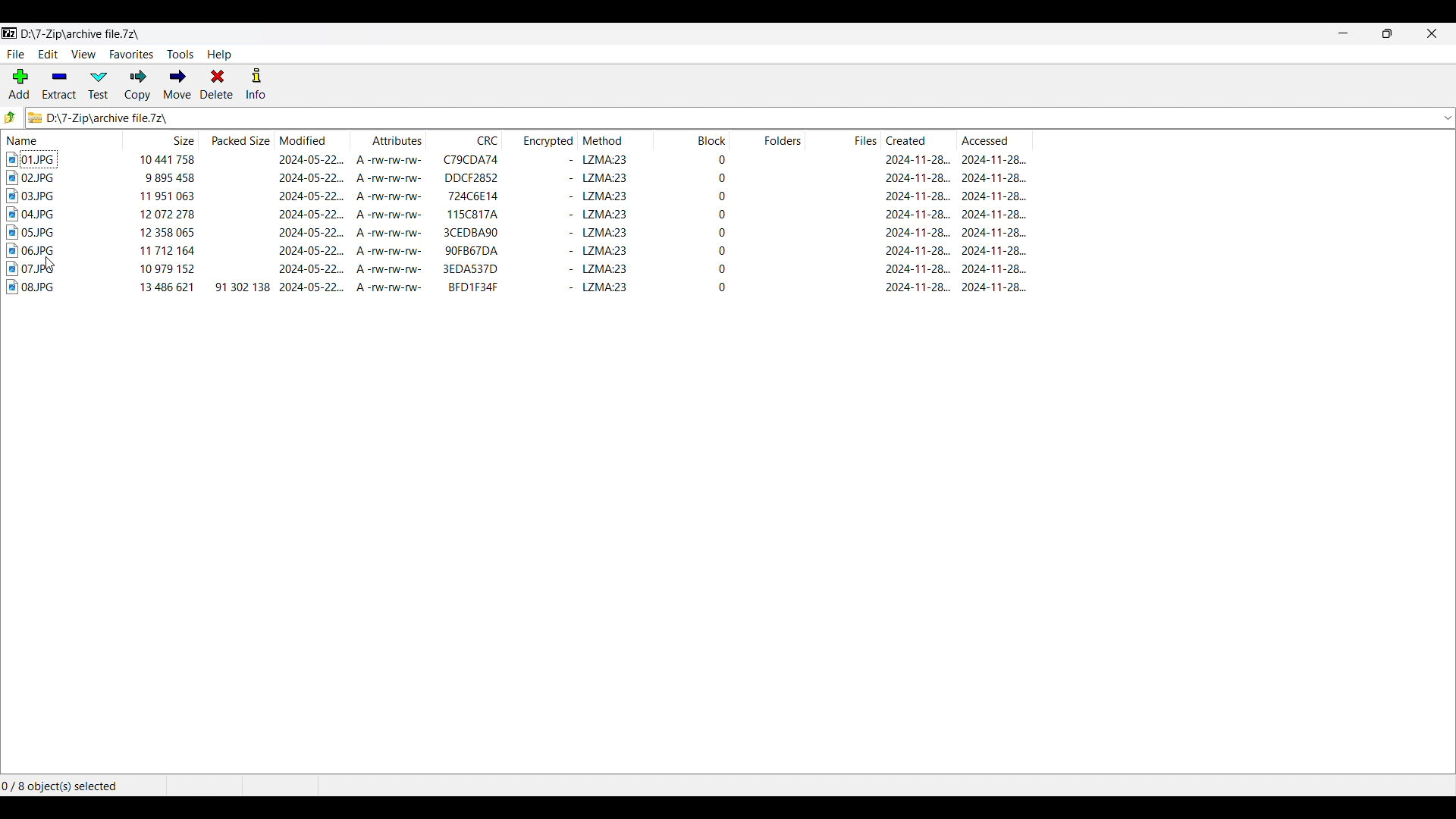 Image resolution: width=1456 pixels, height=819 pixels. What do you see at coordinates (31, 268) in the screenshot?
I see `image file` at bounding box center [31, 268].